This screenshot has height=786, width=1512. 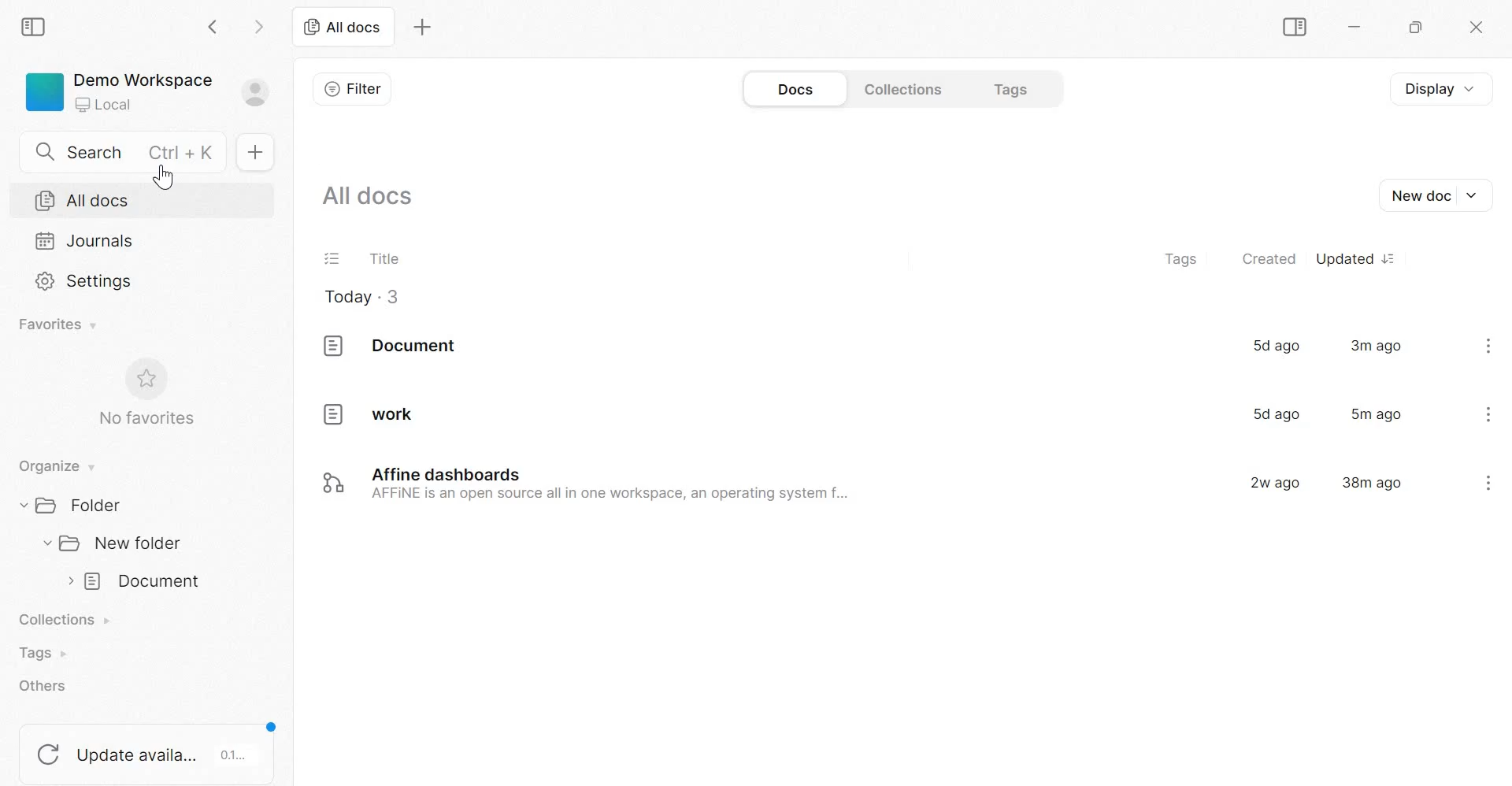 I want to click on kebab menu, so click(x=1488, y=345).